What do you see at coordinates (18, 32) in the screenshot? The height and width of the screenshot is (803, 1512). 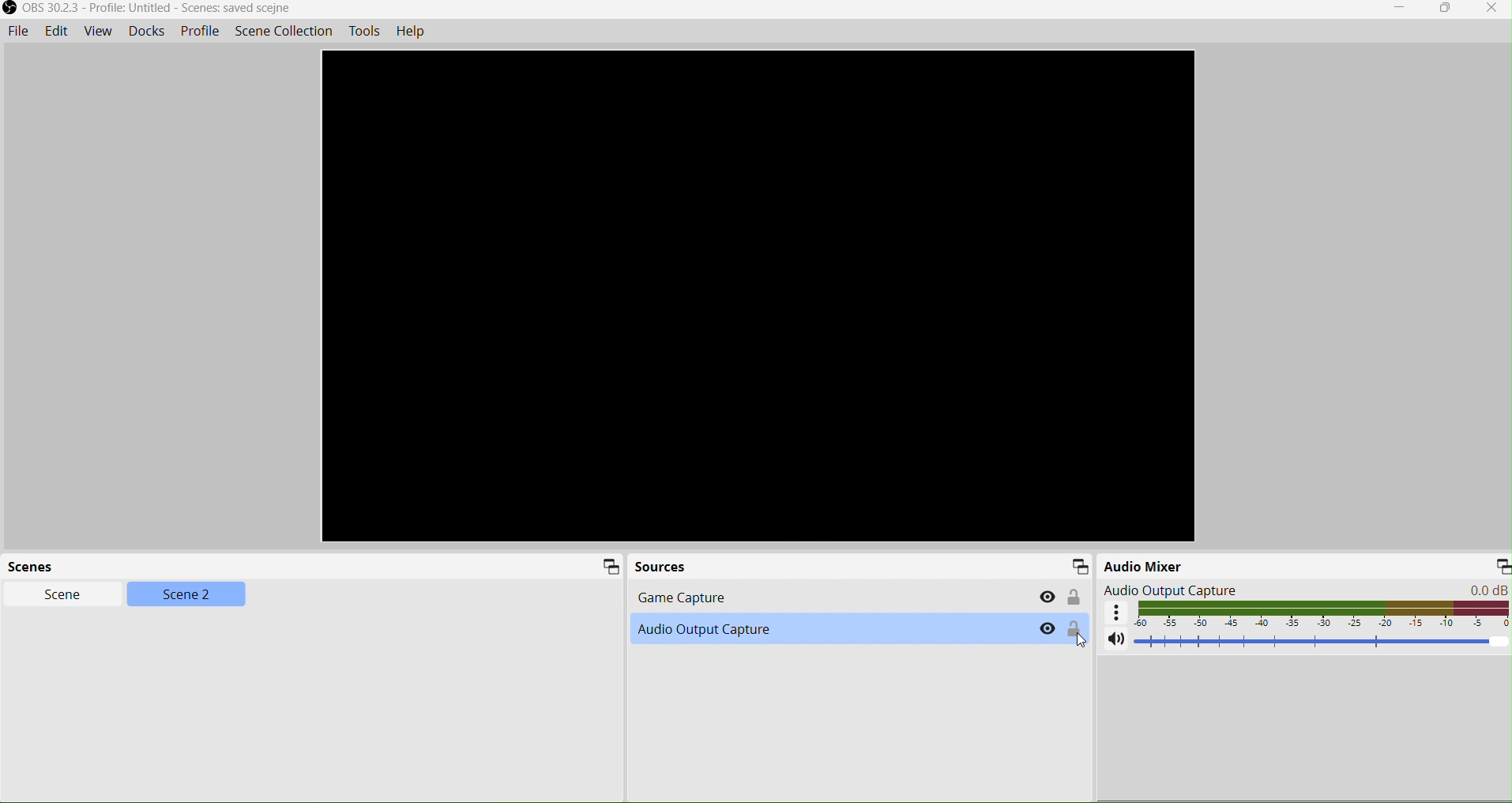 I see `File` at bounding box center [18, 32].